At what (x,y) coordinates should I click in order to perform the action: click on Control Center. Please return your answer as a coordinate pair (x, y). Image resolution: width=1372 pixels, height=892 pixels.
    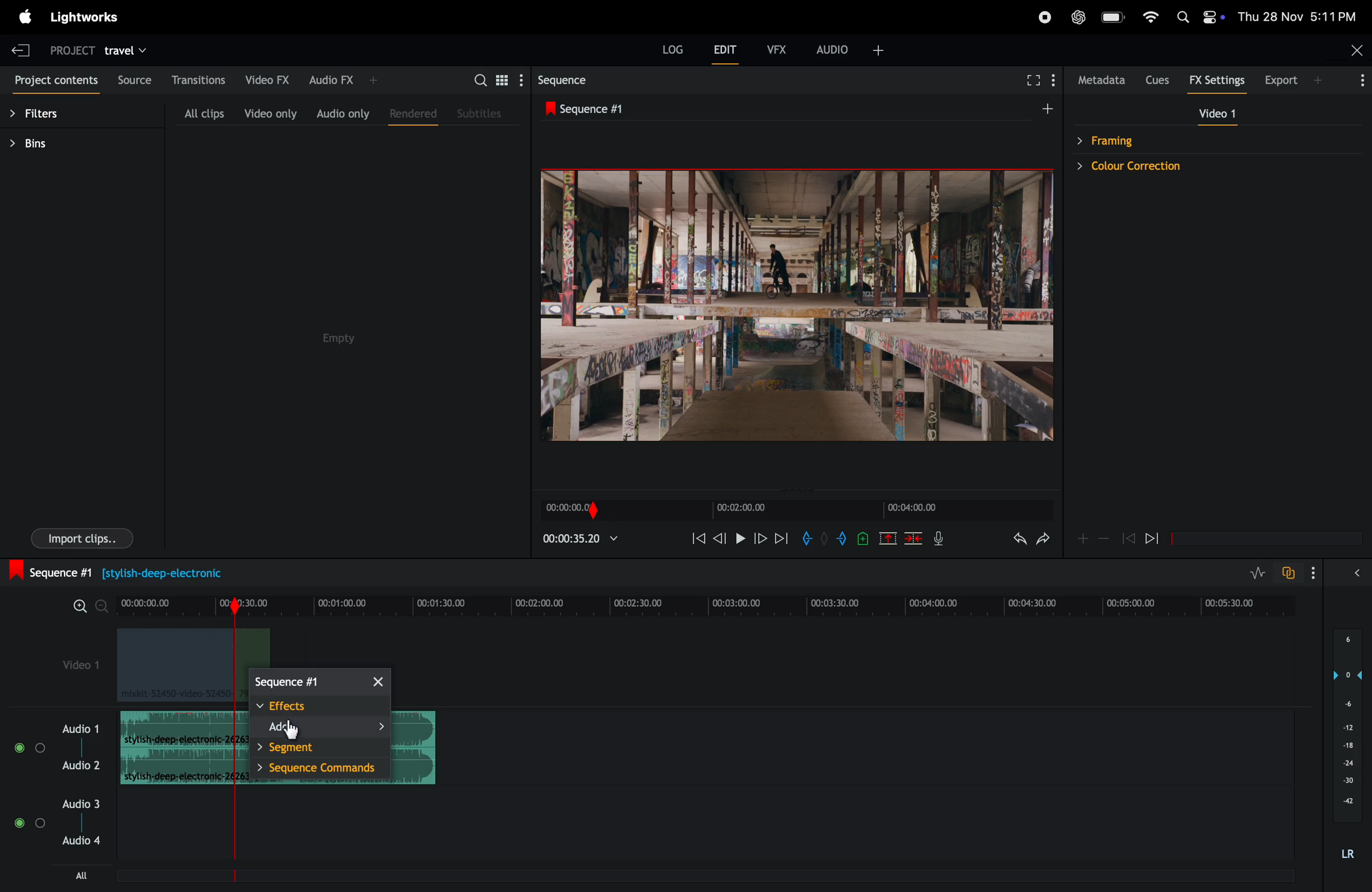
    Looking at the image, I should click on (1213, 17).